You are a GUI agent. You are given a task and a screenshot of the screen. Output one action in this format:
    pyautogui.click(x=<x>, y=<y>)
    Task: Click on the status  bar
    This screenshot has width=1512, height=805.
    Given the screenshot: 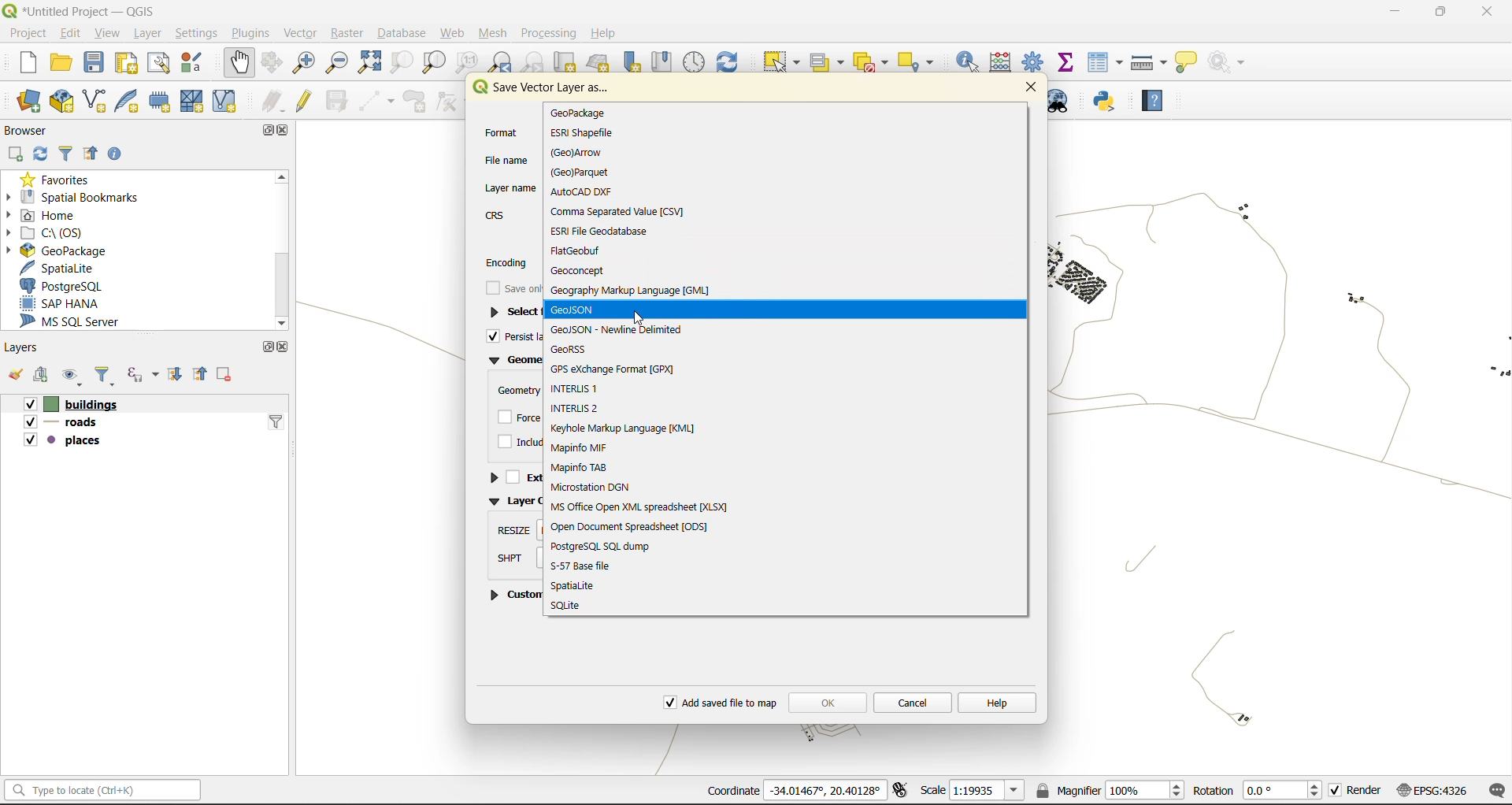 What is the action you would take?
    pyautogui.click(x=106, y=791)
    